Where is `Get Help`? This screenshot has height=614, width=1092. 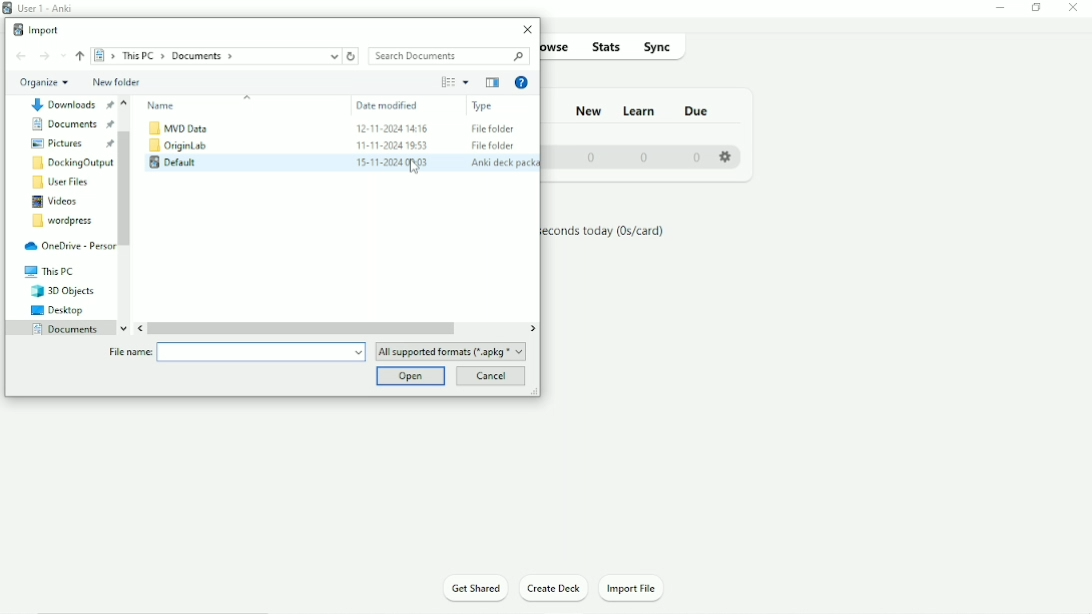 Get Help is located at coordinates (522, 83).